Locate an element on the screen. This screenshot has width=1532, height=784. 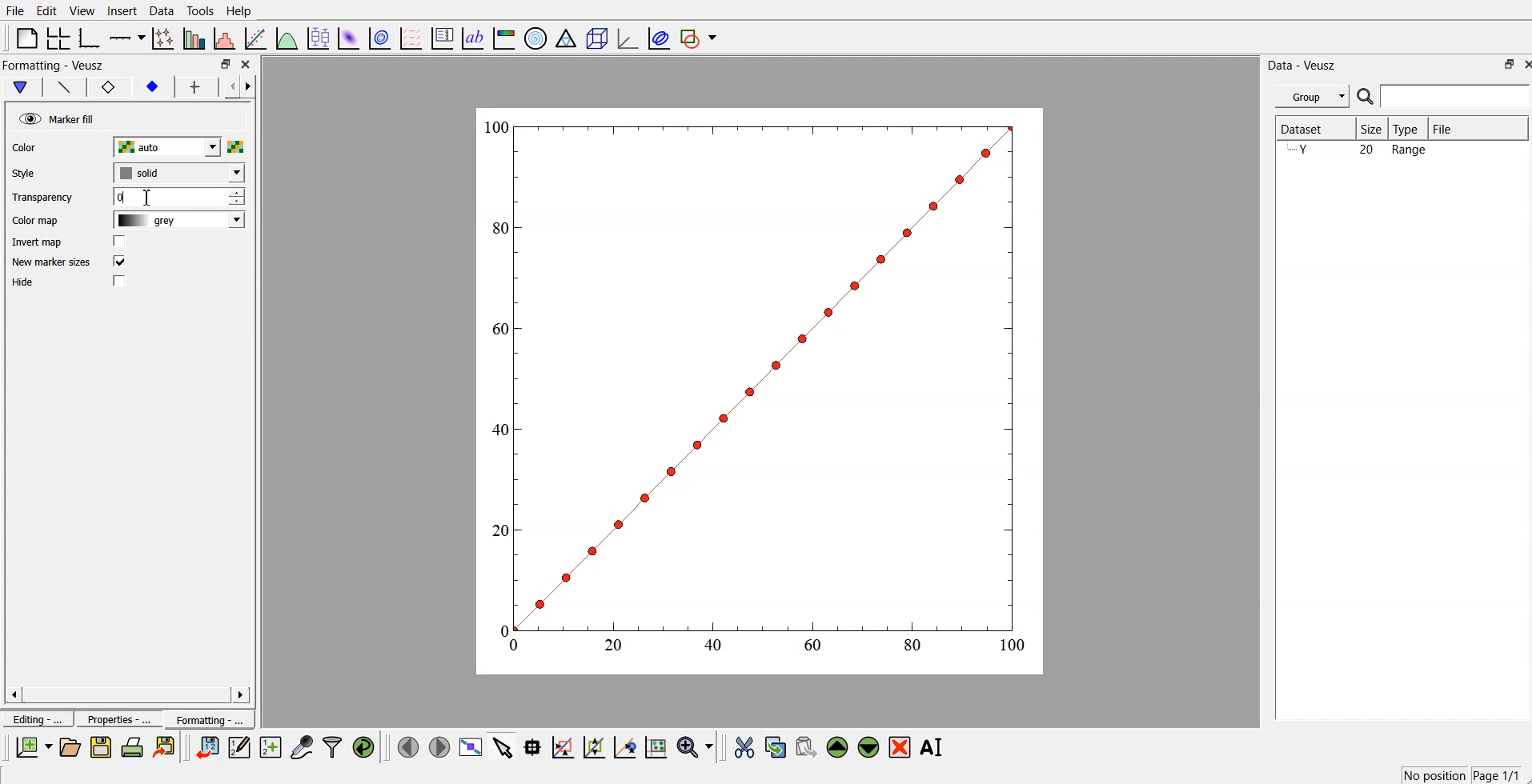
click to reset graph axes is located at coordinates (657, 746).